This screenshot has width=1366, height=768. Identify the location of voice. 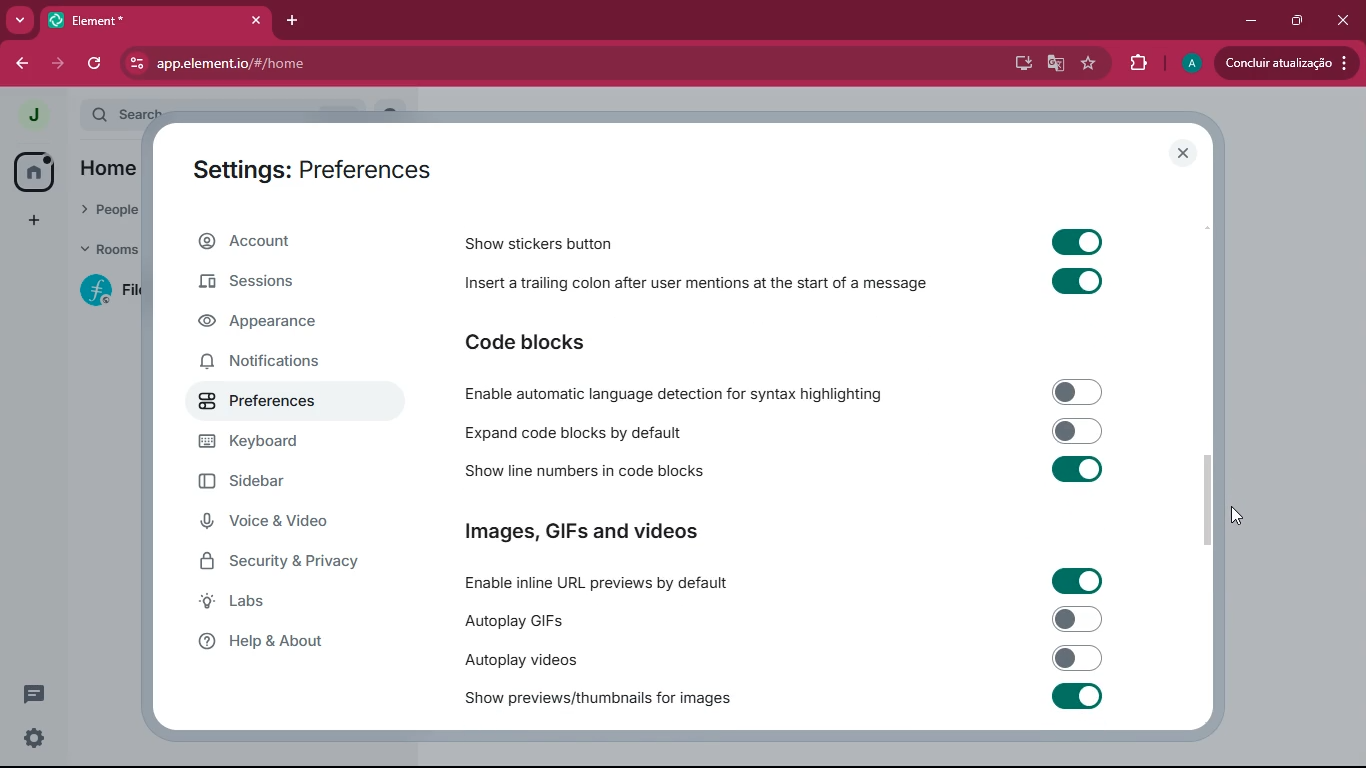
(284, 524).